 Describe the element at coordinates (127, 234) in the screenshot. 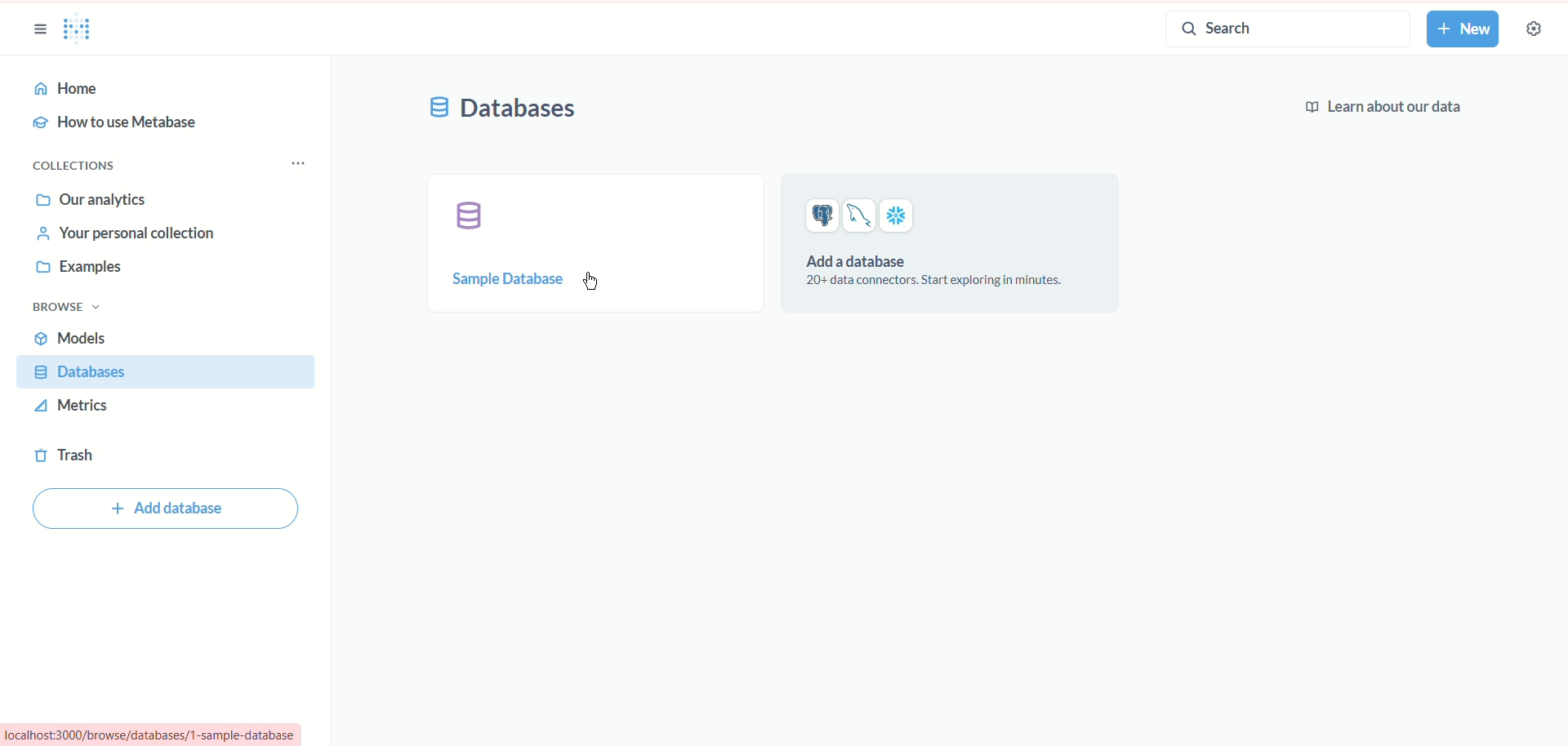

I see `your personal collection` at that location.